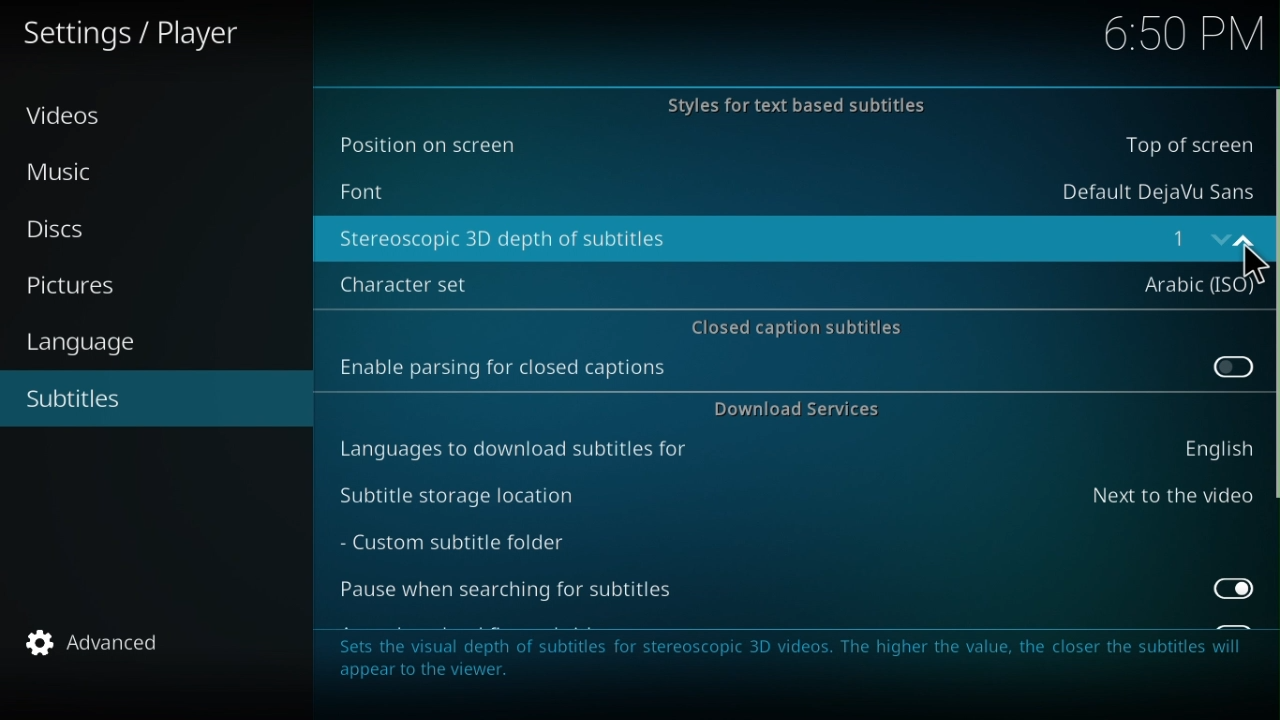  Describe the element at coordinates (1247, 269) in the screenshot. I see `Cursor` at that location.